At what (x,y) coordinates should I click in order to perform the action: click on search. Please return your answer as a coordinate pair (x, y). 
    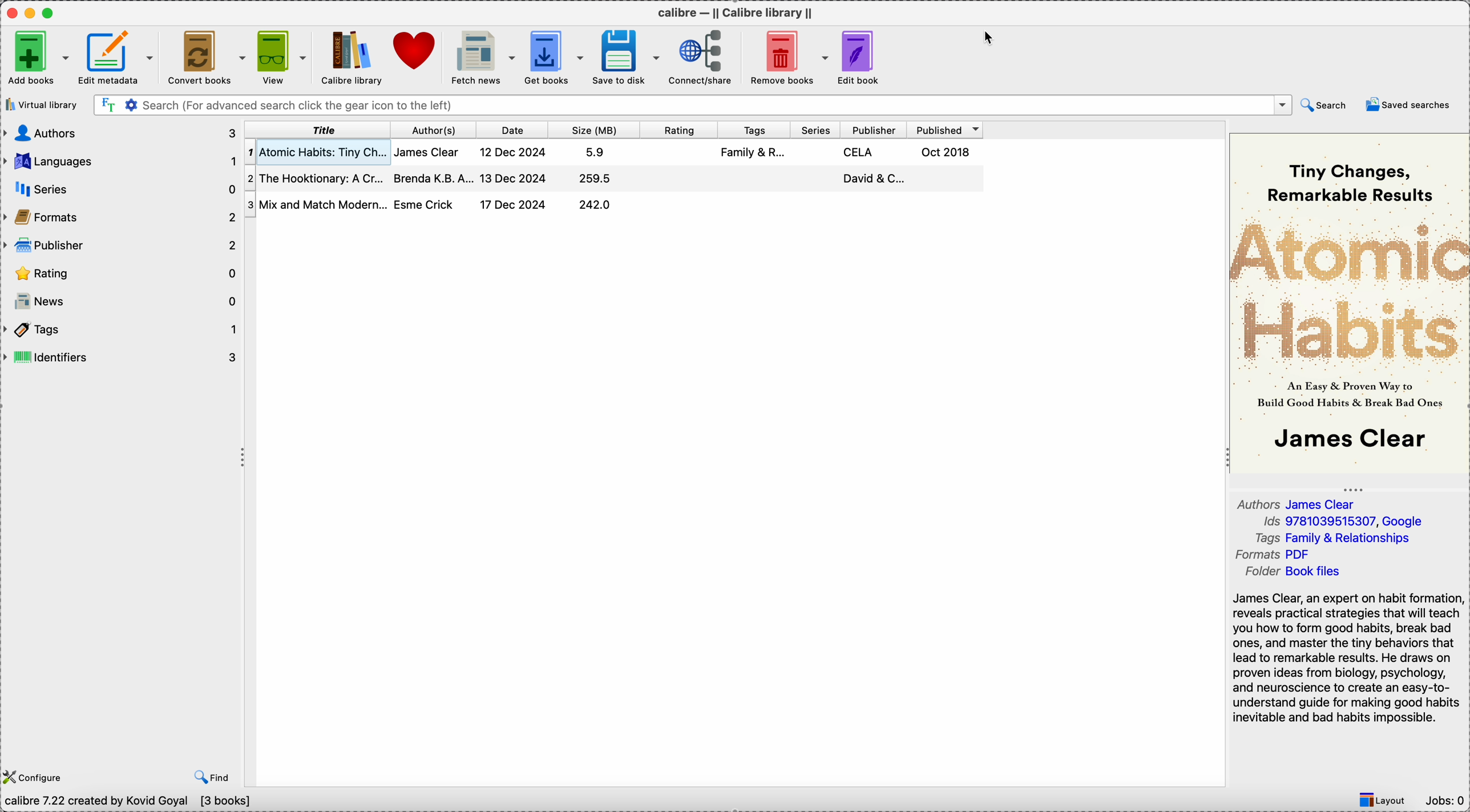
    Looking at the image, I should click on (1326, 105).